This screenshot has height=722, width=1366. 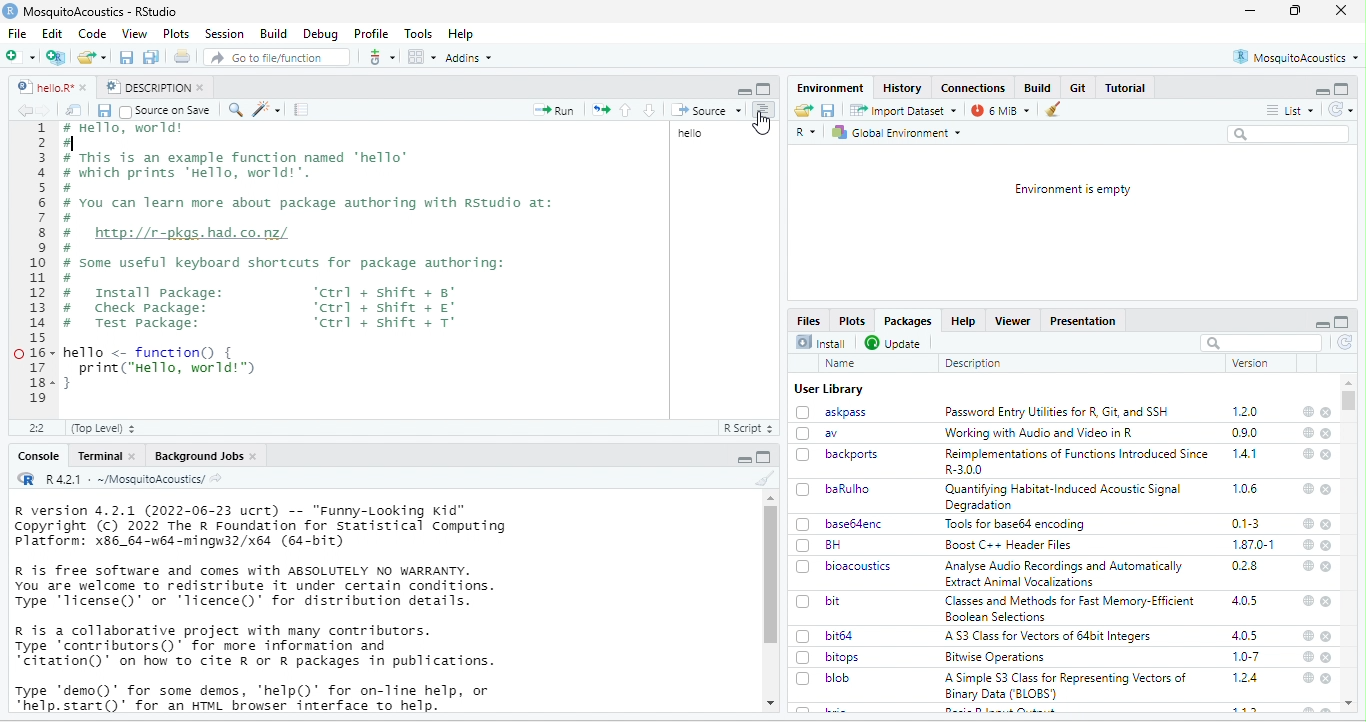 What do you see at coordinates (821, 342) in the screenshot?
I see `Install` at bounding box center [821, 342].